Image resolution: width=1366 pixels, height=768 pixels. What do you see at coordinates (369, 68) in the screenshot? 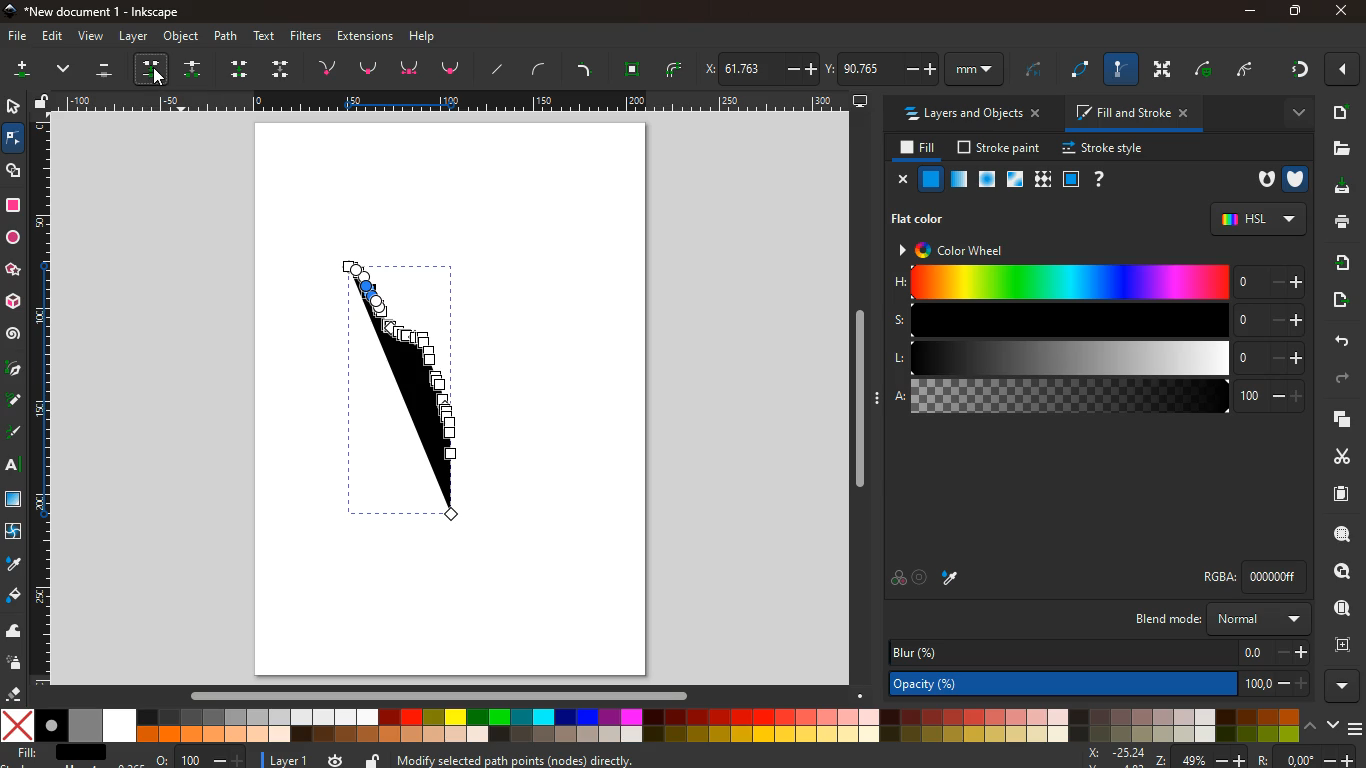
I see `point` at bounding box center [369, 68].